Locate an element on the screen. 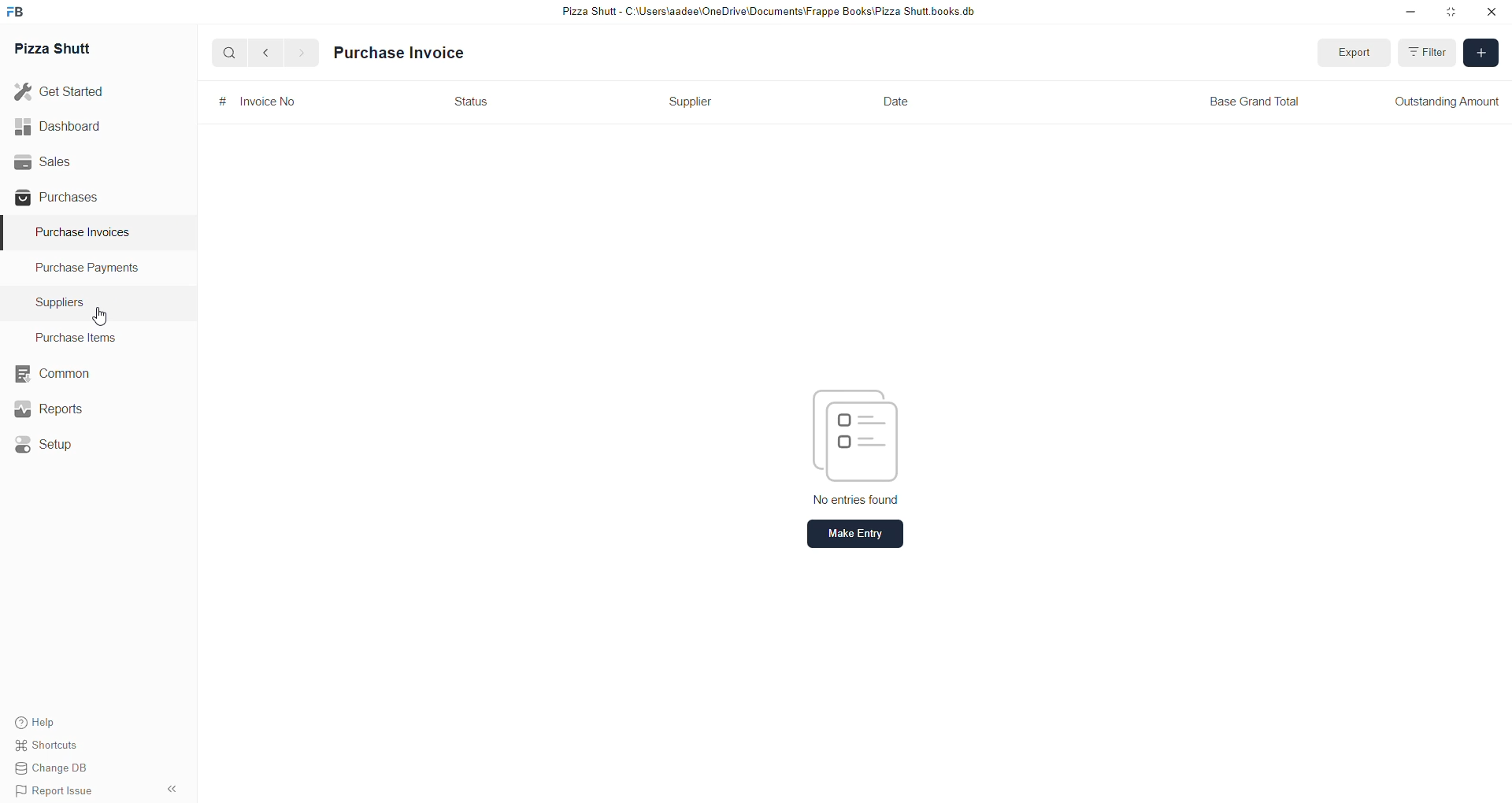 The width and height of the screenshot is (1512, 803). Purchase Items is located at coordinates (81, 337).